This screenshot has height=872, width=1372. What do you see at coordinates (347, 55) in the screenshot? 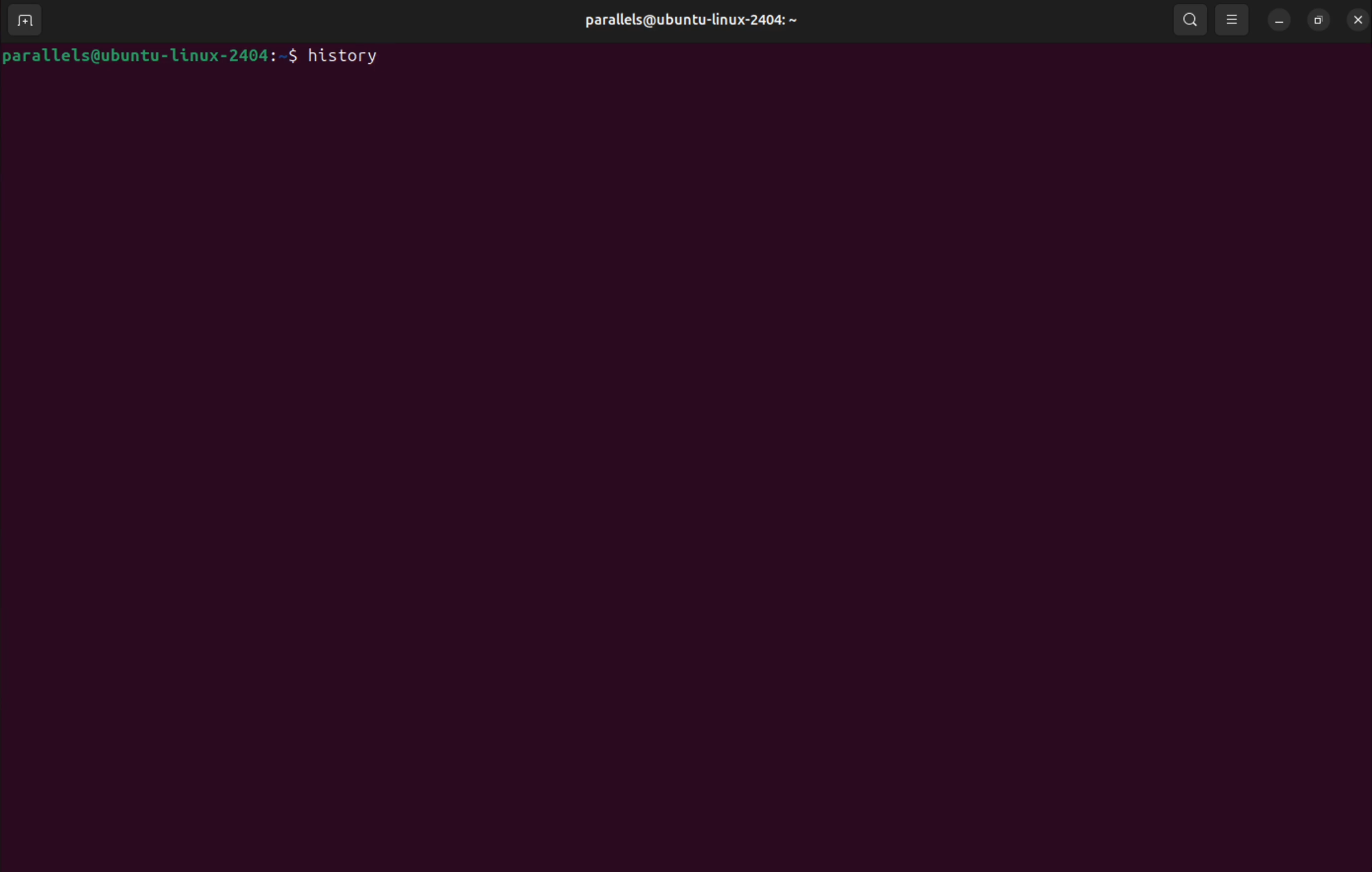
I see `history` at bounding box center [347, 55].